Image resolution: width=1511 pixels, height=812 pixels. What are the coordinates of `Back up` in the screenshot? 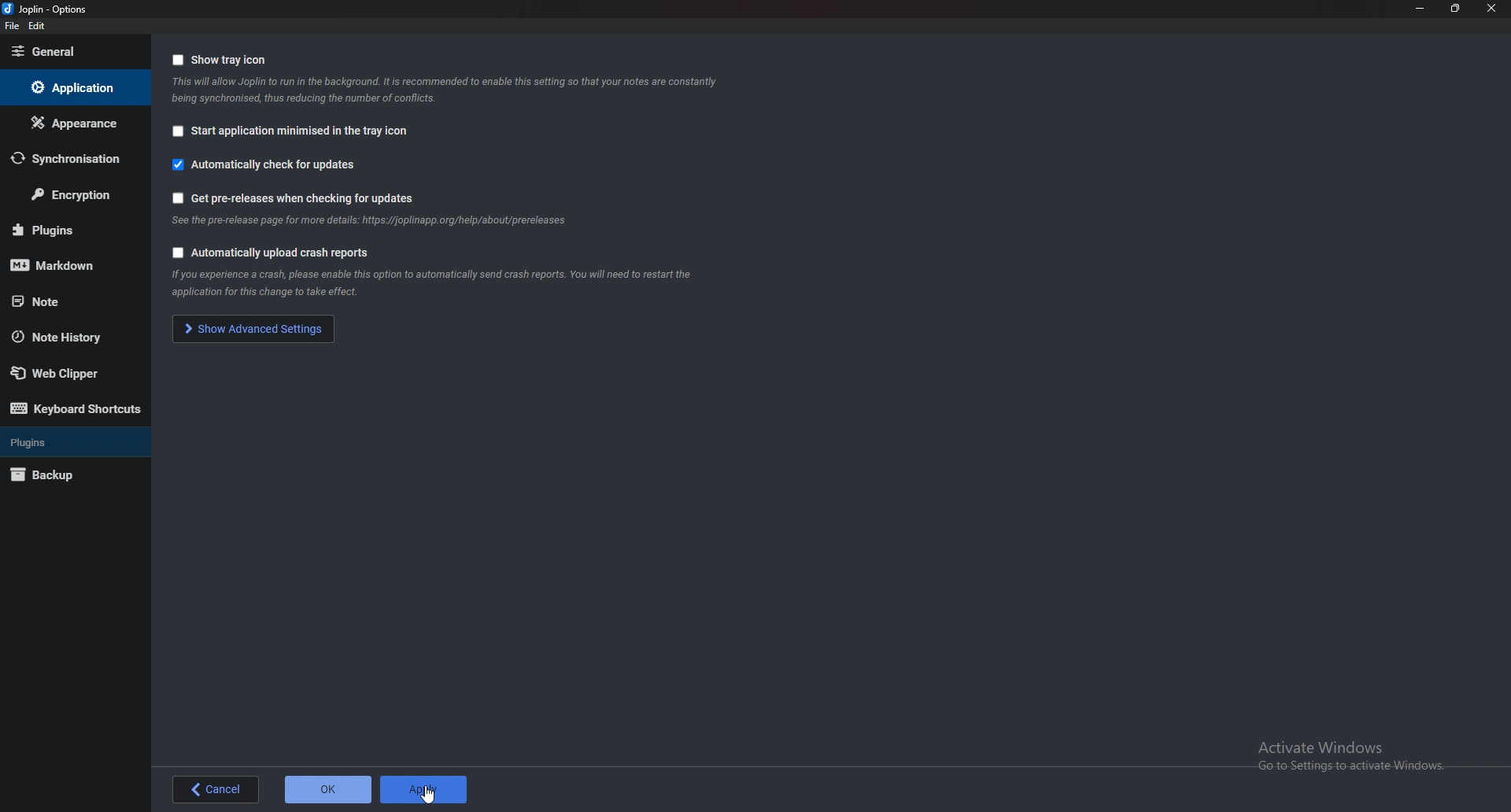 It's located at (64, 474).